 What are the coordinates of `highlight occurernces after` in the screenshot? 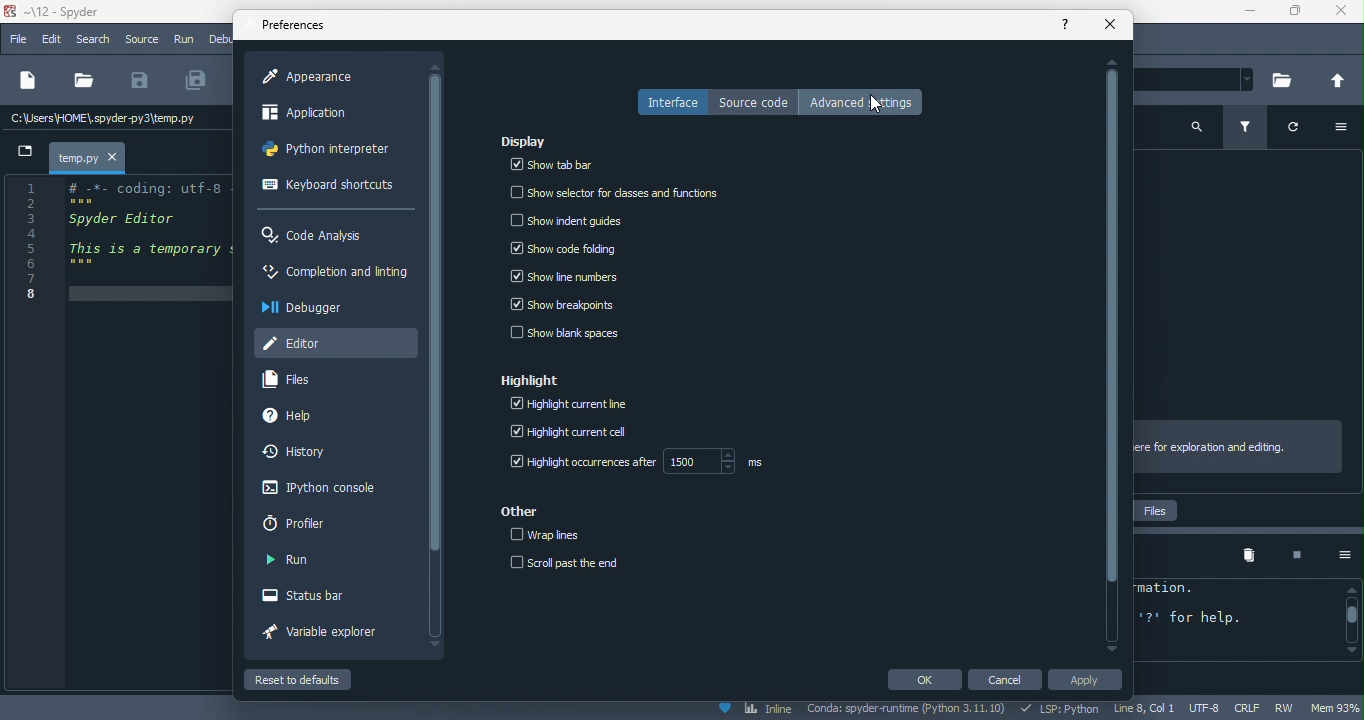 It's located at (643, 464).